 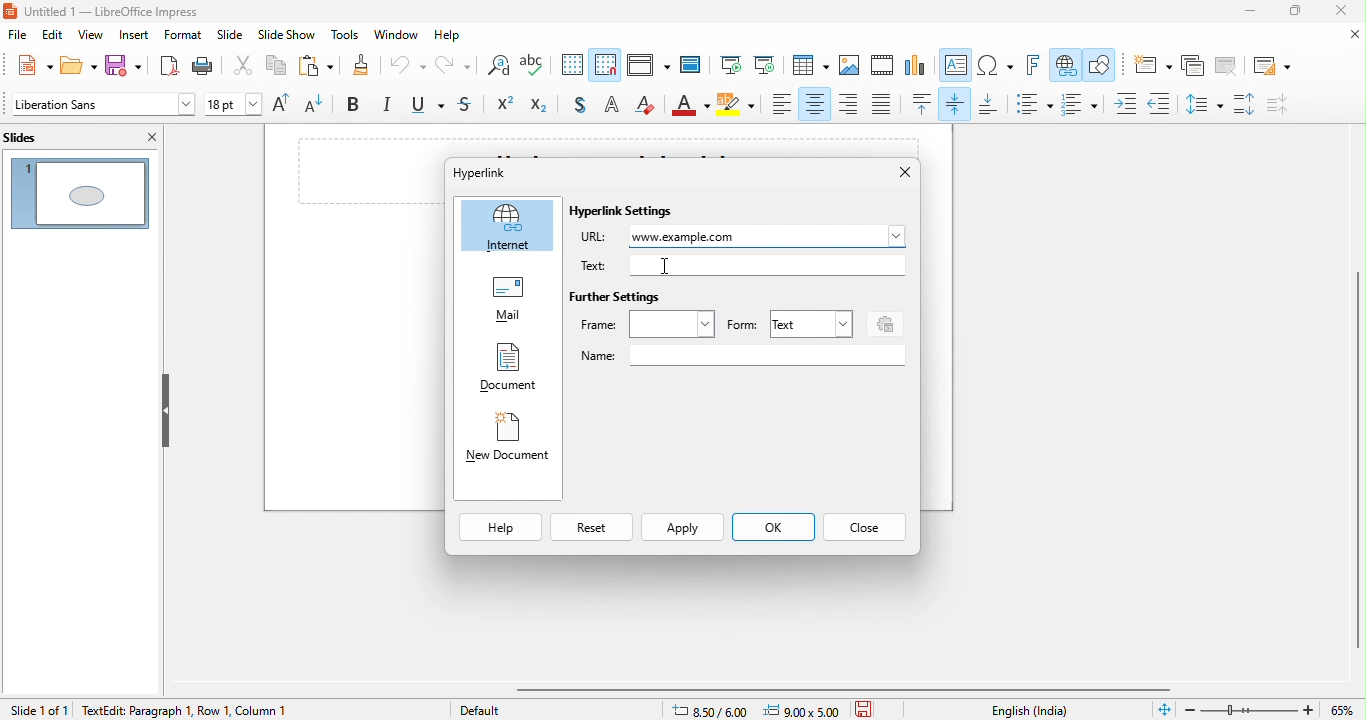 What do you see at coordinates (506, 106) in the screenshot?
I see `superscript` at bounding box center [506, 106].